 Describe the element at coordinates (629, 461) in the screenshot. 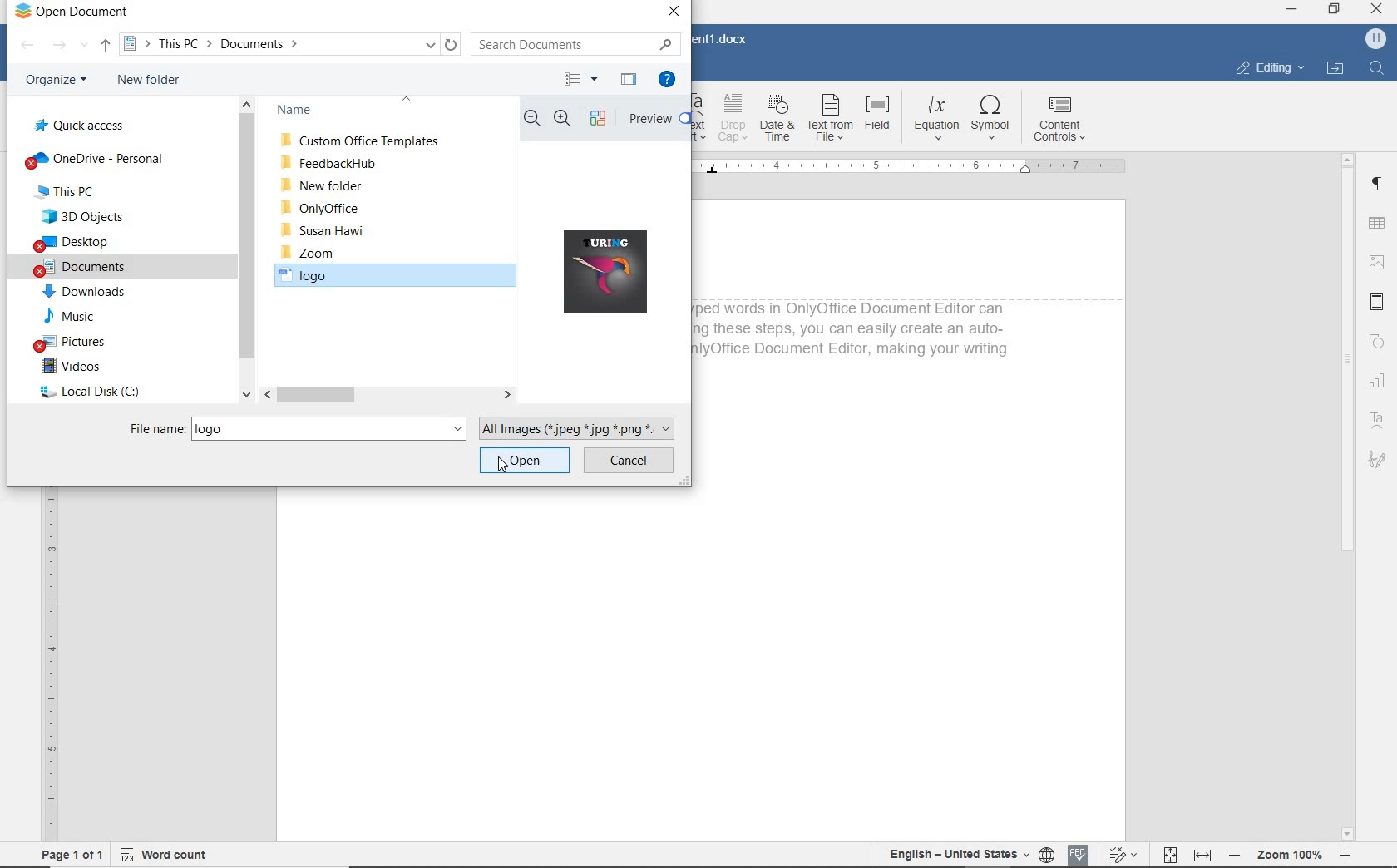

I see `CANCEL` at that location.